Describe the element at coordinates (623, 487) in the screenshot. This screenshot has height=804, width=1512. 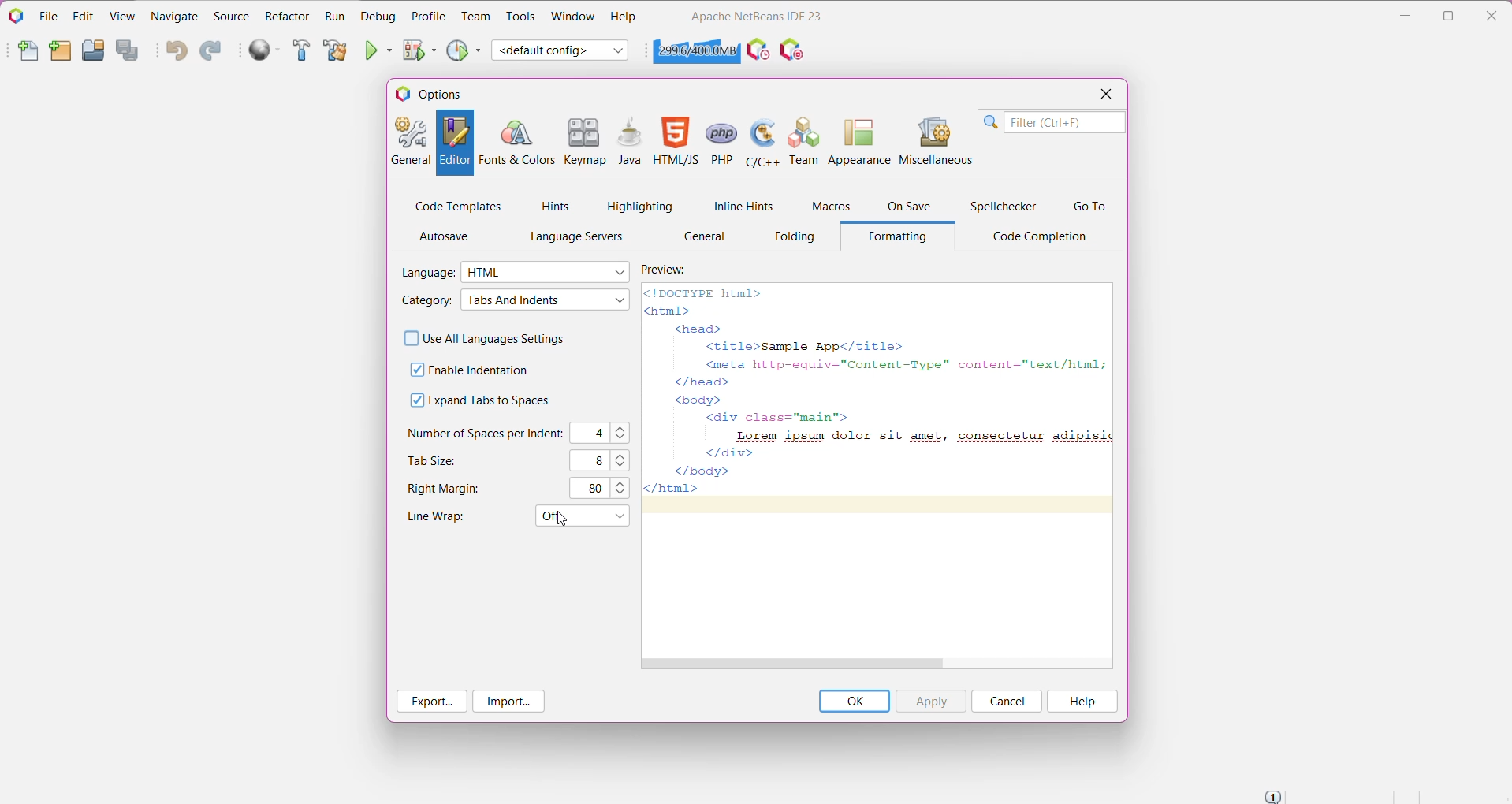
I see `Set the right margins` at that location.